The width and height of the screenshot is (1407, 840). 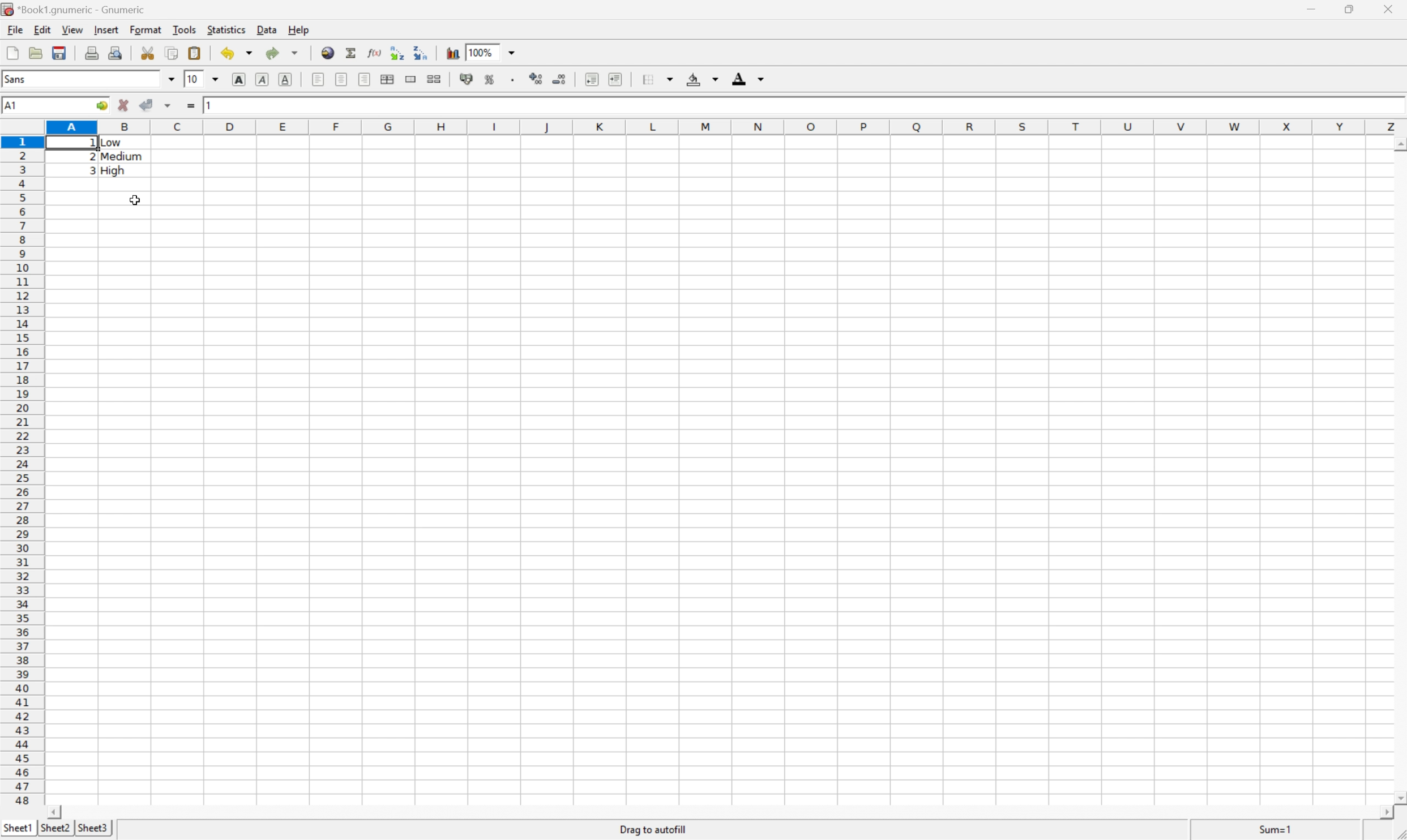 I want to click on Minimize, so click(x=1310, y=8).